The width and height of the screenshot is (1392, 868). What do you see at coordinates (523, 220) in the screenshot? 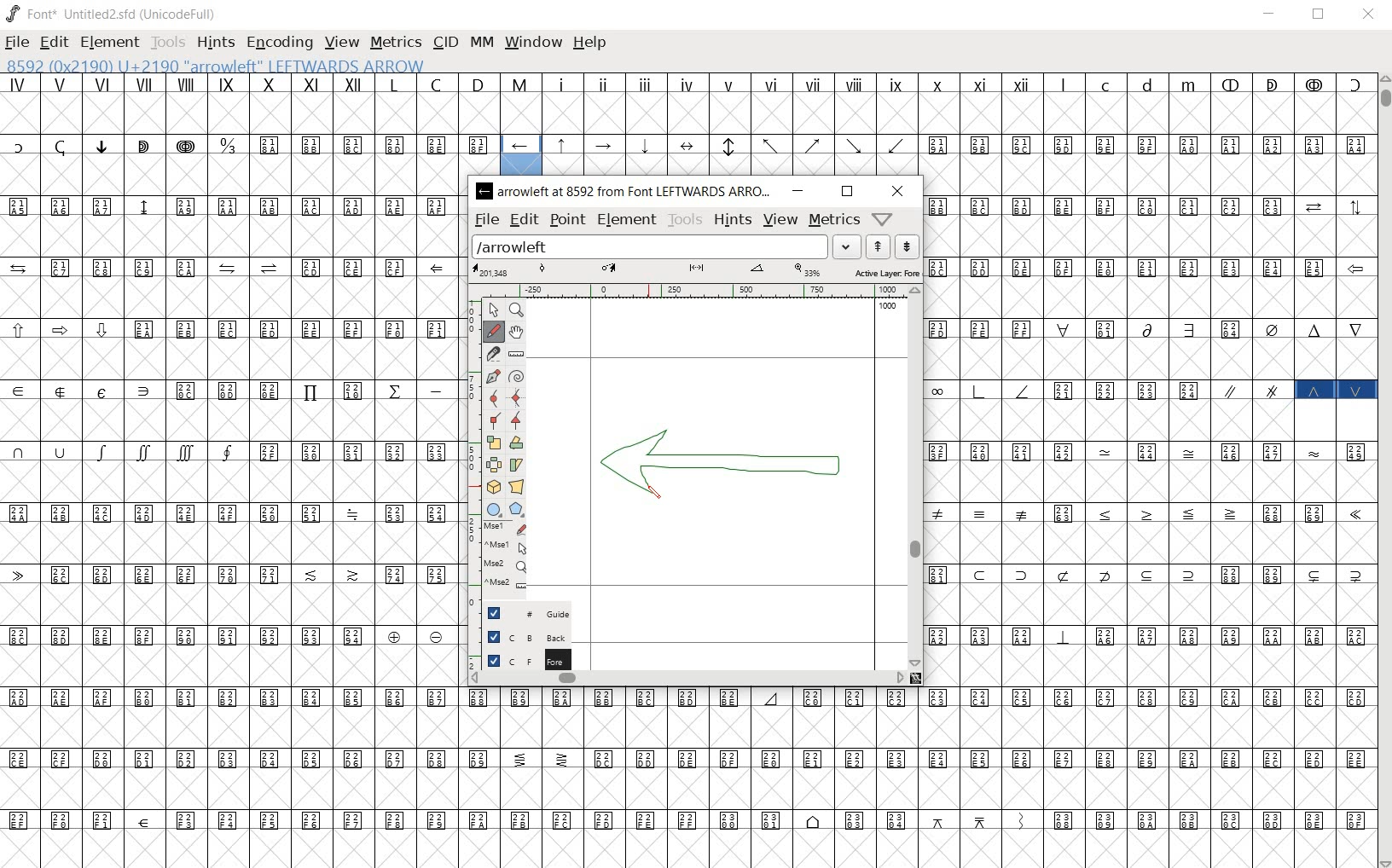
I see `edit` at bounding box center [523, 220].